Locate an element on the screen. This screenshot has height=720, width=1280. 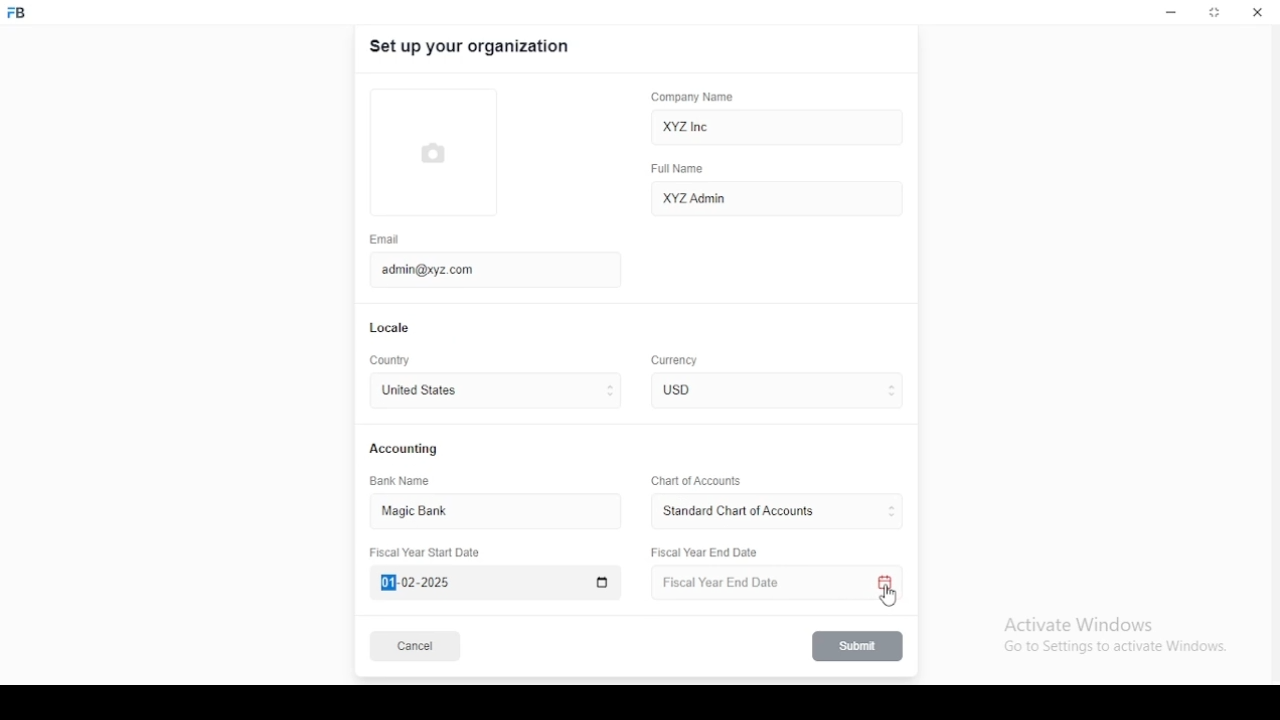
minimize is located at coordinates (1171, 13).